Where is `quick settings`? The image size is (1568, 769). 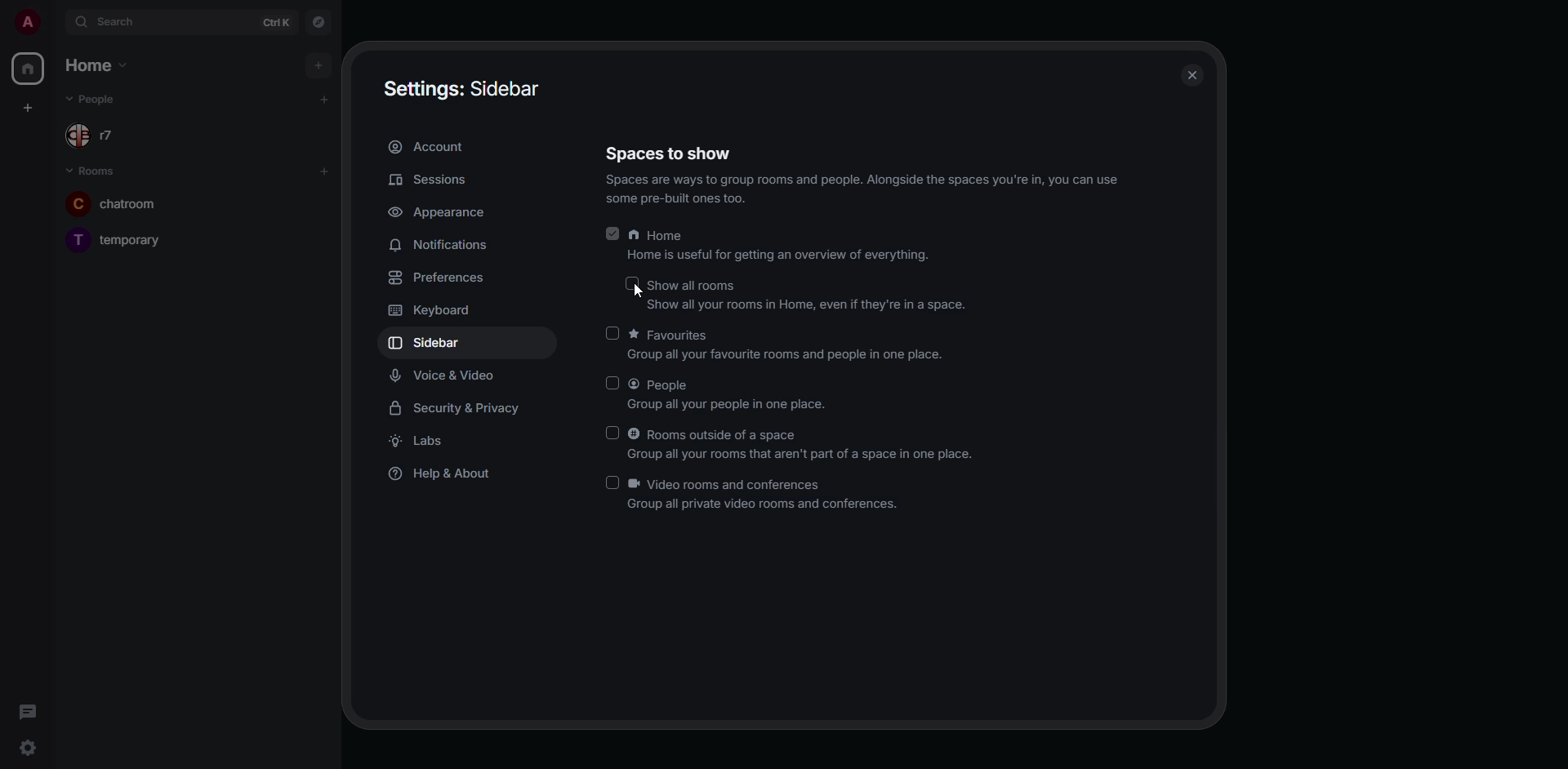 quick settings is located at coordinates (26, 748).